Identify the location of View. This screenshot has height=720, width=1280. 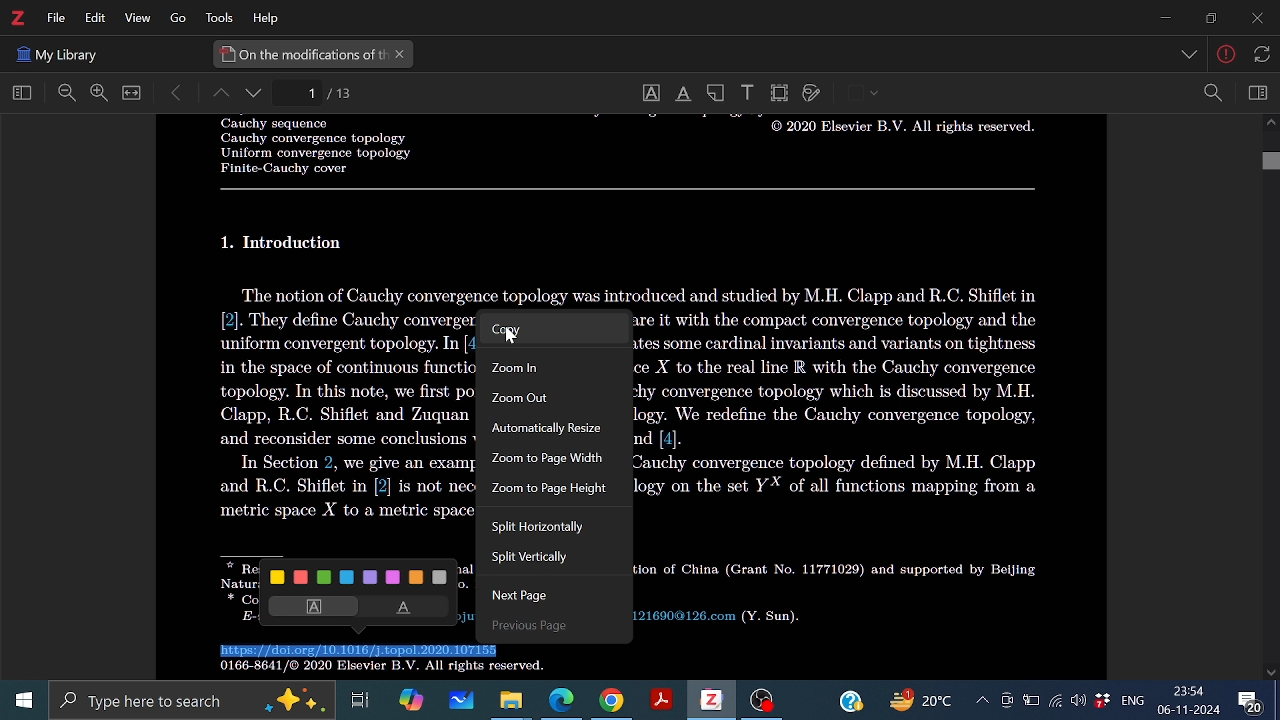
(135, 19).